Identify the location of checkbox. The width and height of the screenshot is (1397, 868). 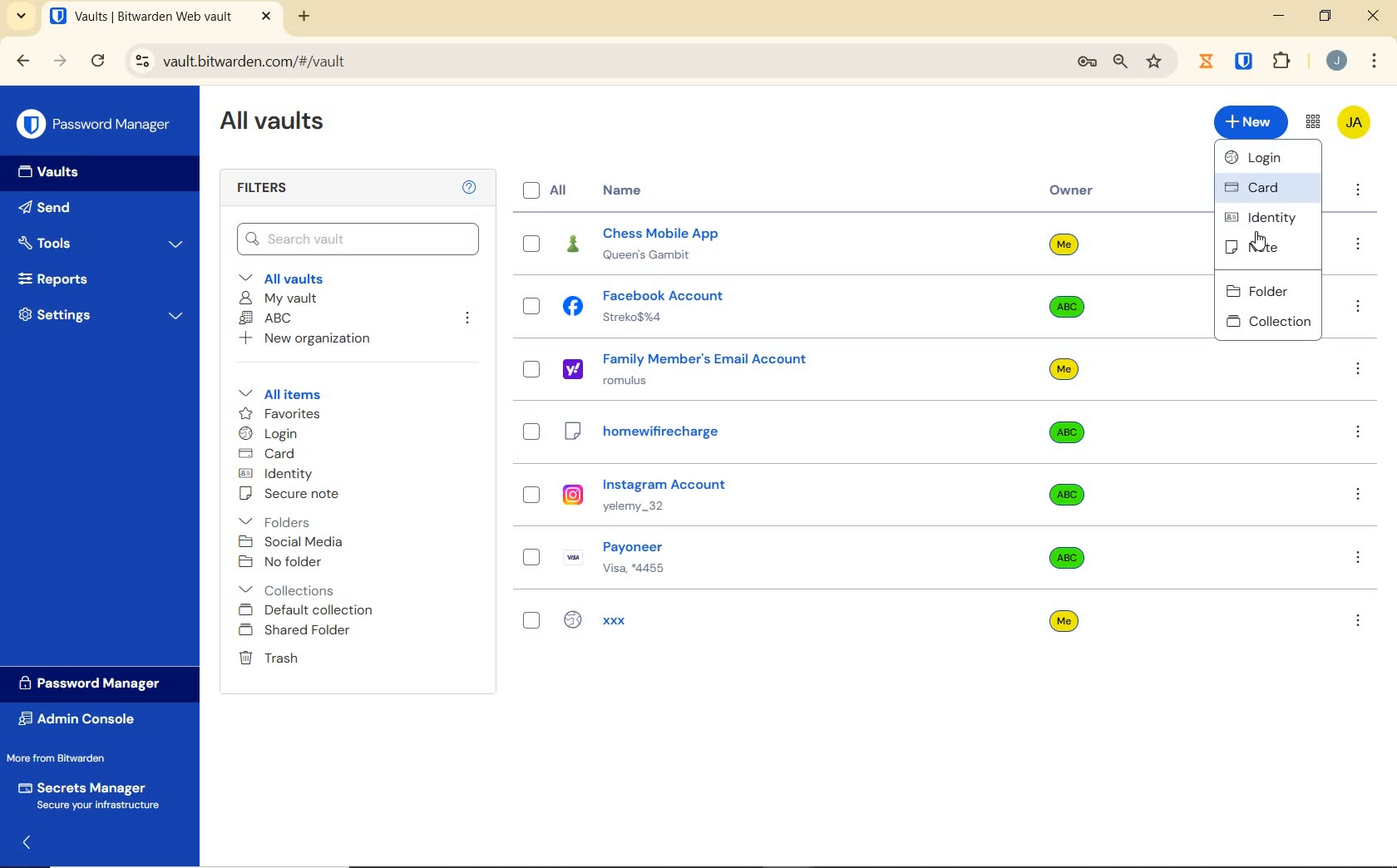
(532, 558).